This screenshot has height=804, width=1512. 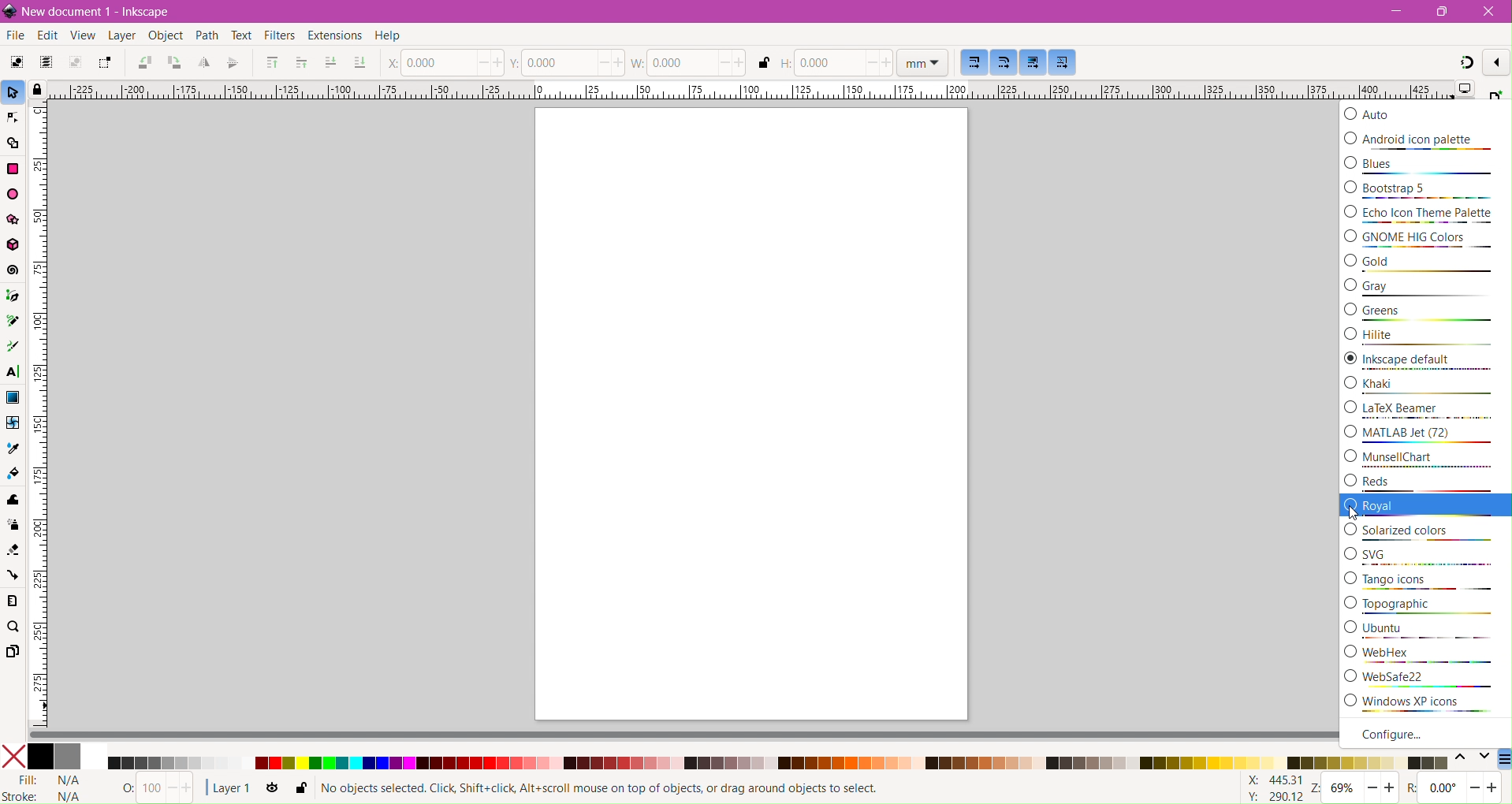 I want to click on Connector Tool, so click(x=12, y=576).